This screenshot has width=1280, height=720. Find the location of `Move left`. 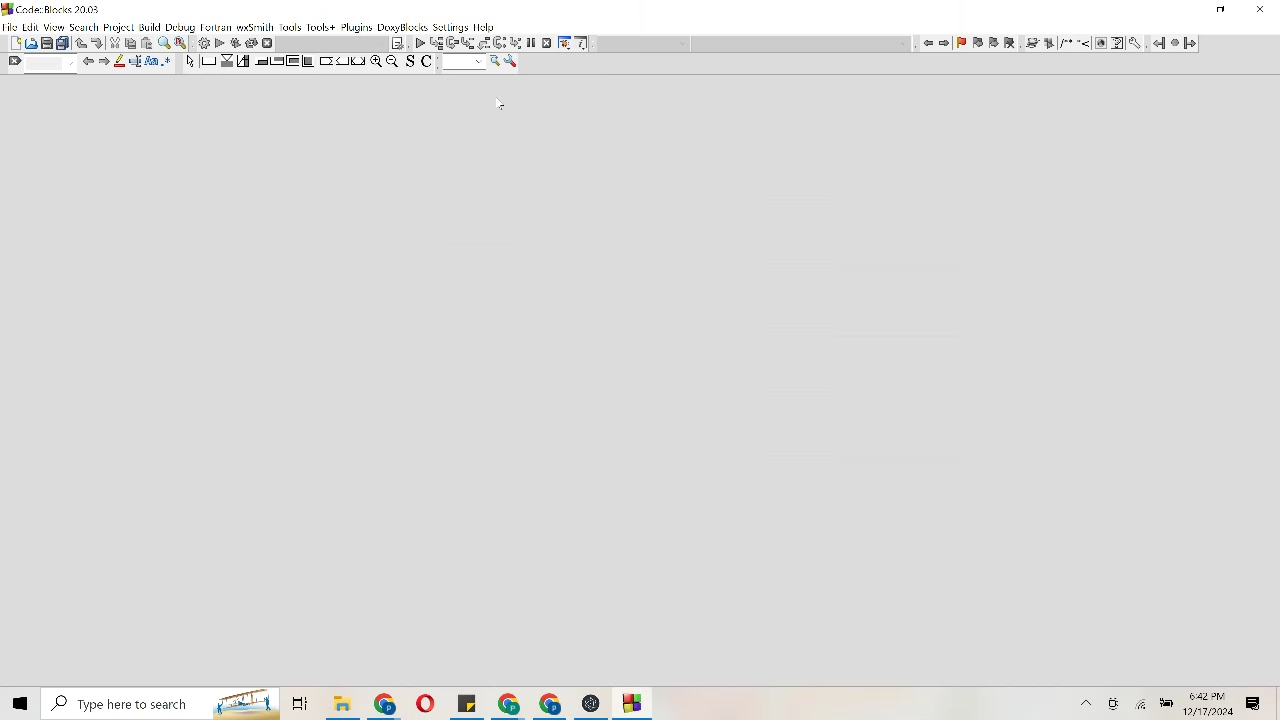

Move left is located at coordinates (88, 61).